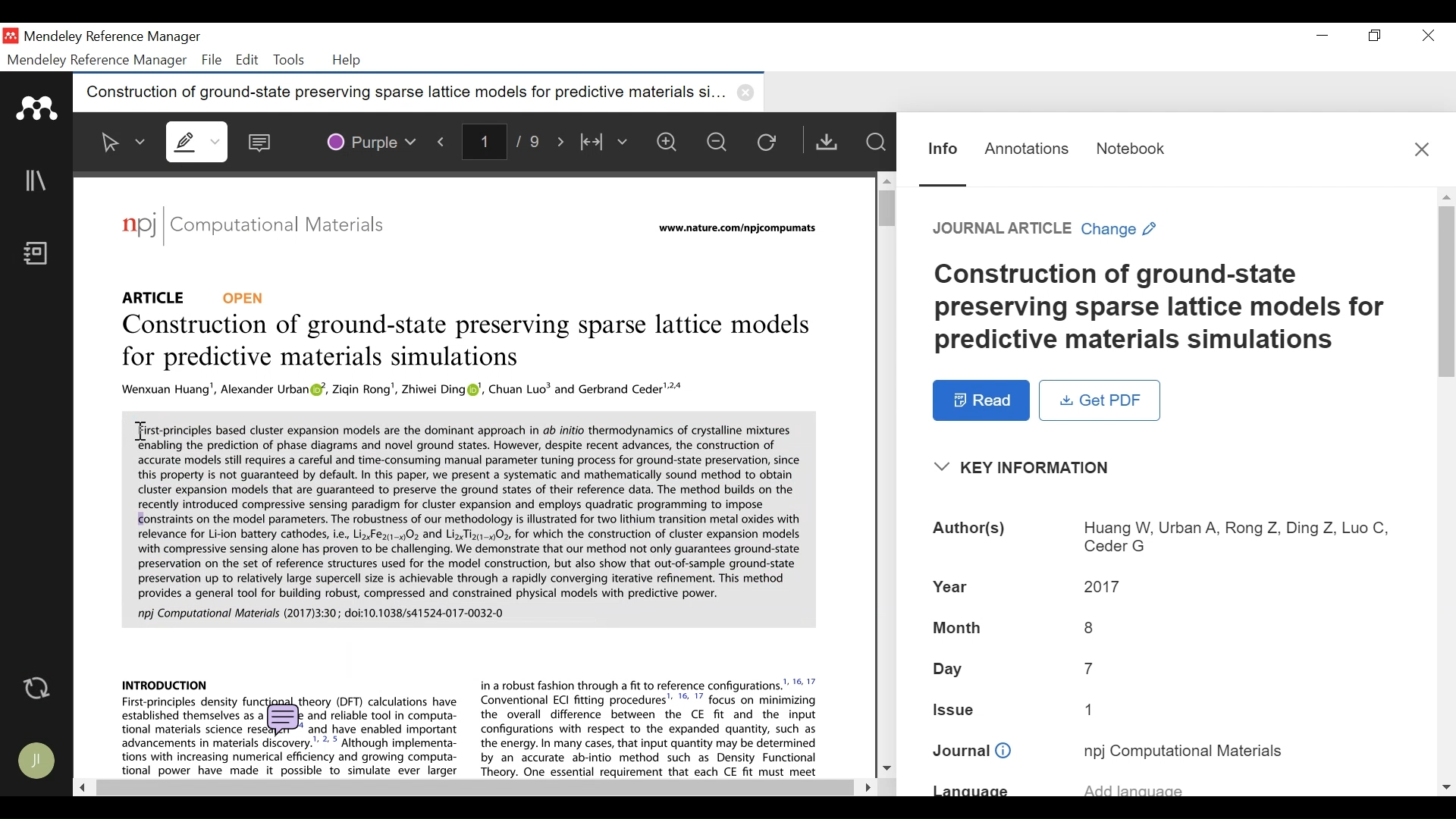  I want to click on page number/total number of pages, so click(507, 140).